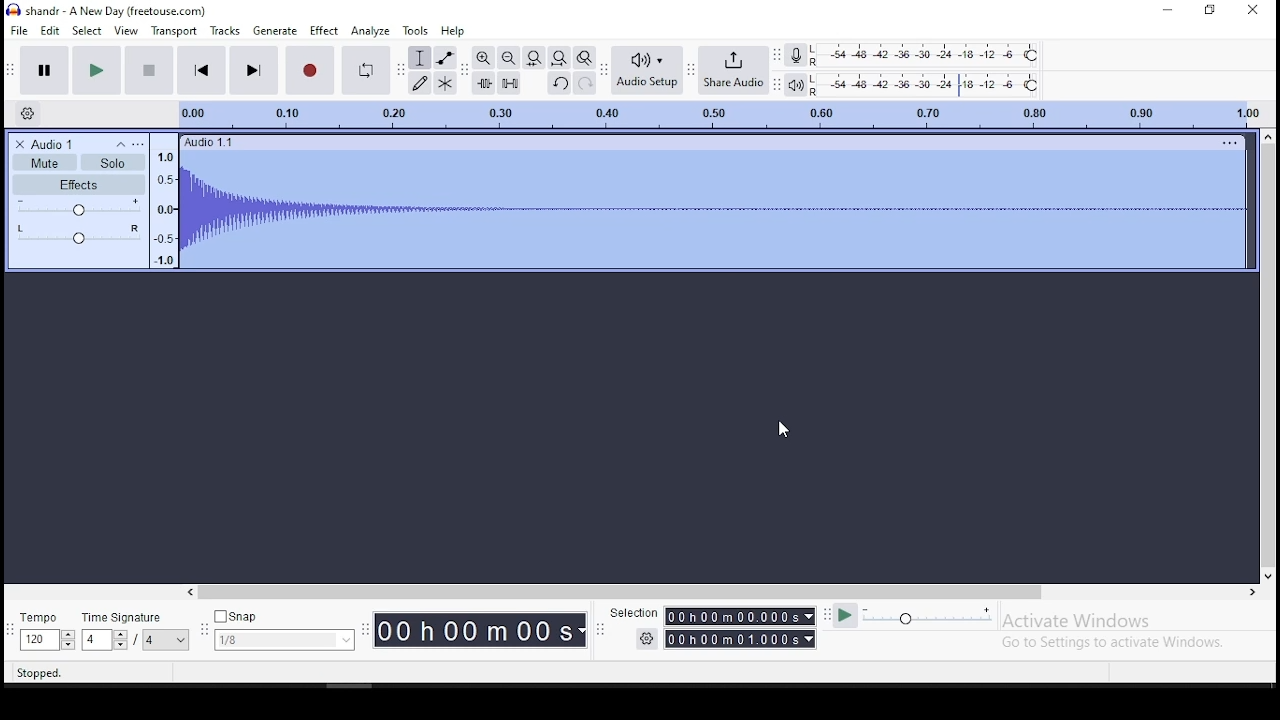  What do you see at coordinates (52, 31) in the screenshot?
I see `edit` at bounding box center [52, 31].